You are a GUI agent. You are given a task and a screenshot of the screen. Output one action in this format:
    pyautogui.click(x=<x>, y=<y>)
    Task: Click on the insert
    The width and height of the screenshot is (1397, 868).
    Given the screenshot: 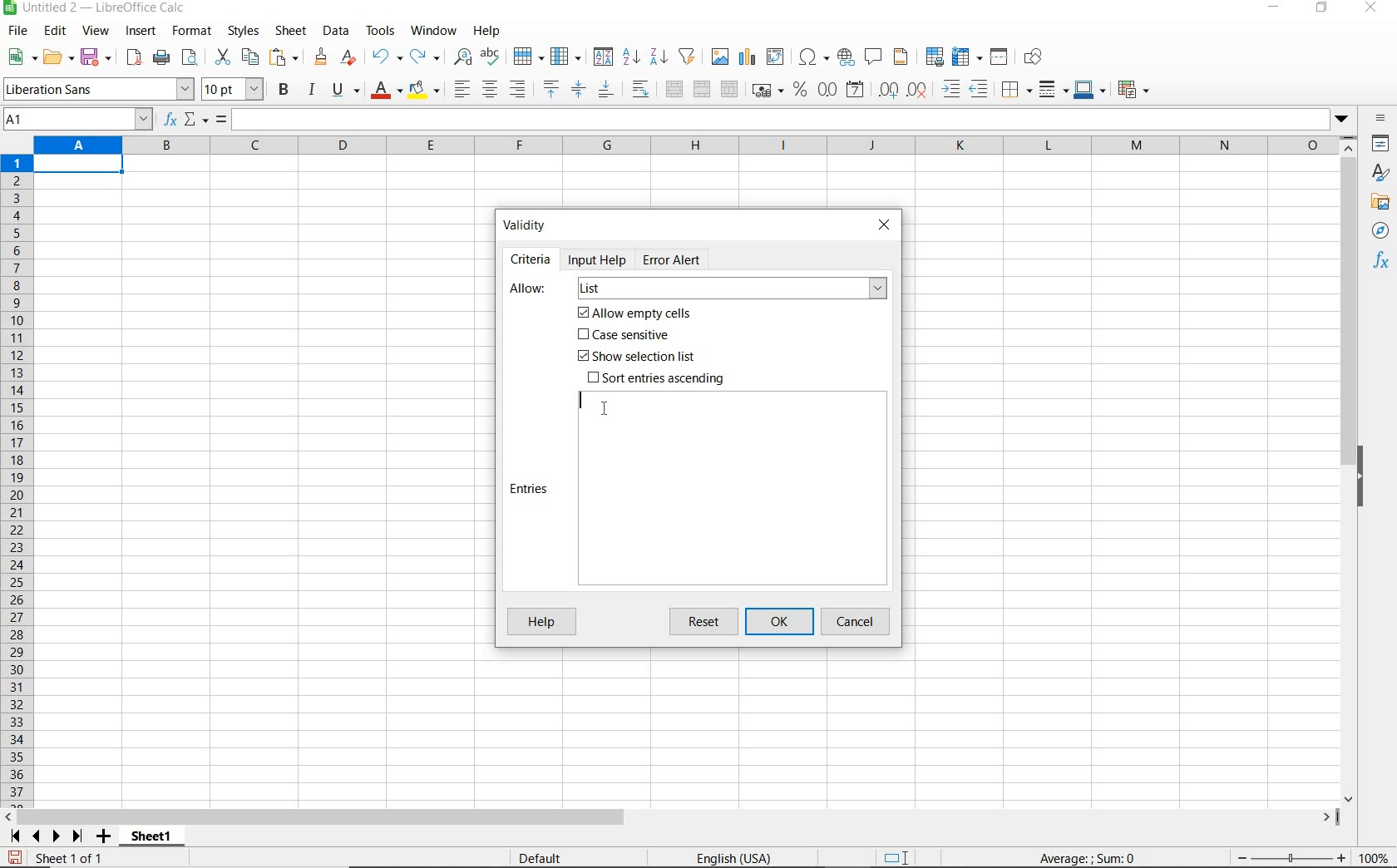 What is the action you would take?
    pyautogui.click(x=140, y=32)
    